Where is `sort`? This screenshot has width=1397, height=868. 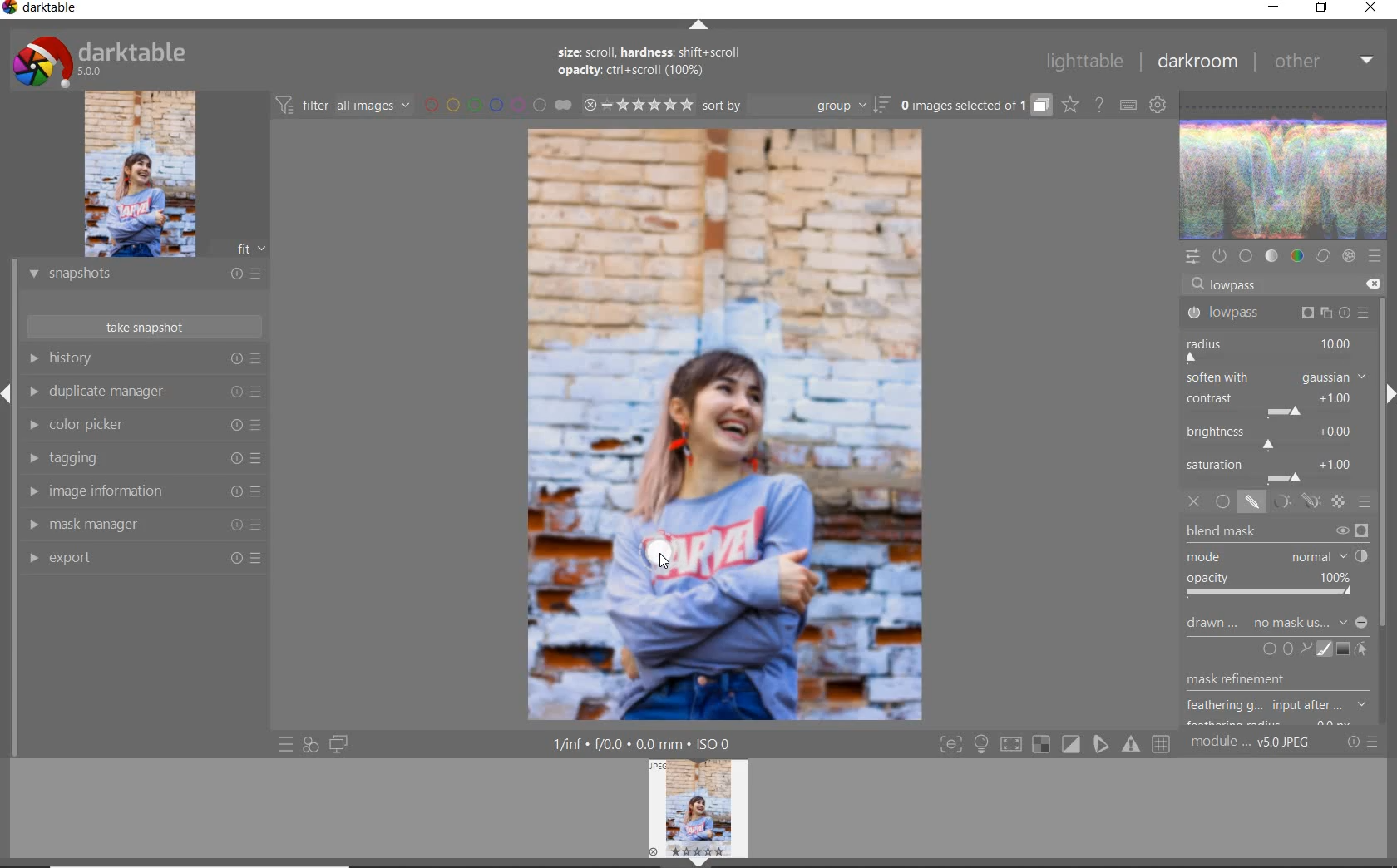 sort is located at coordinates (797, 107).